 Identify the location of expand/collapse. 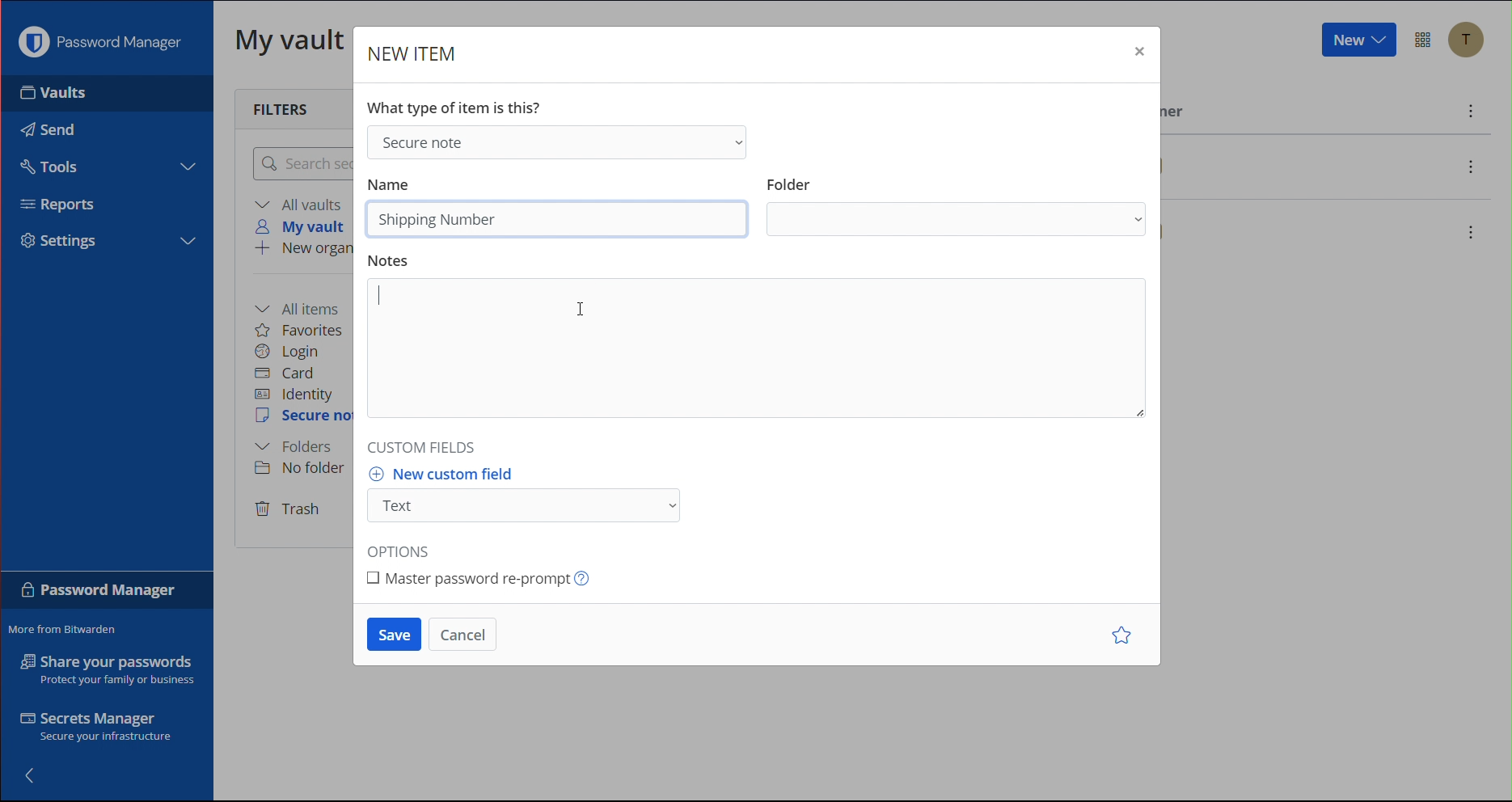
(192, 239).